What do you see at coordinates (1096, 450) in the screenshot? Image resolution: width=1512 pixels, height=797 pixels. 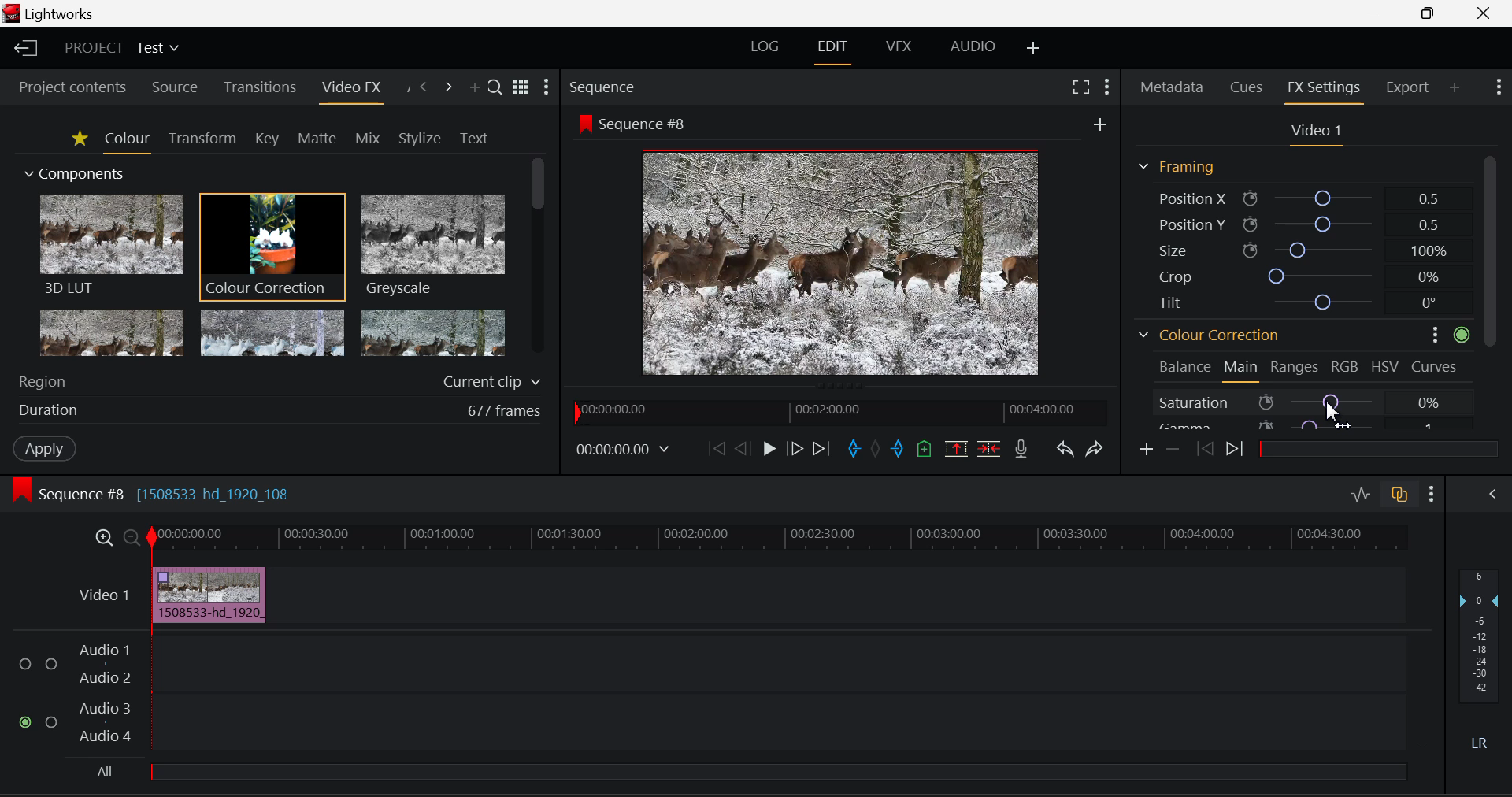 I see `Redo` at bounding box center [1096, 450].